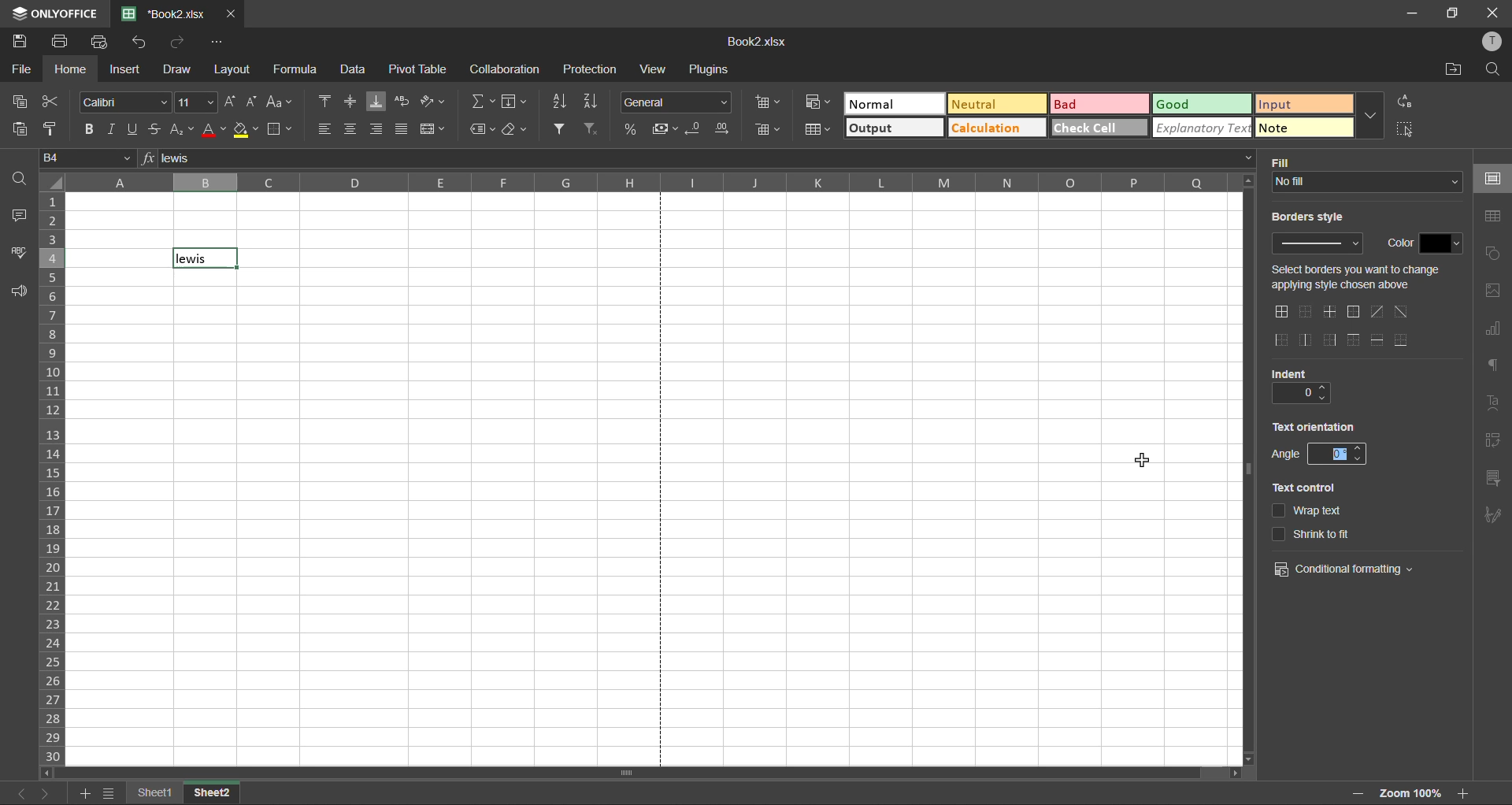 This screenshot has width=1512, height=805. What do you see at coordinates (206, 258) in the screenshot?
I see `selected cell with text "lewis"` at bounding box center [206, 258].